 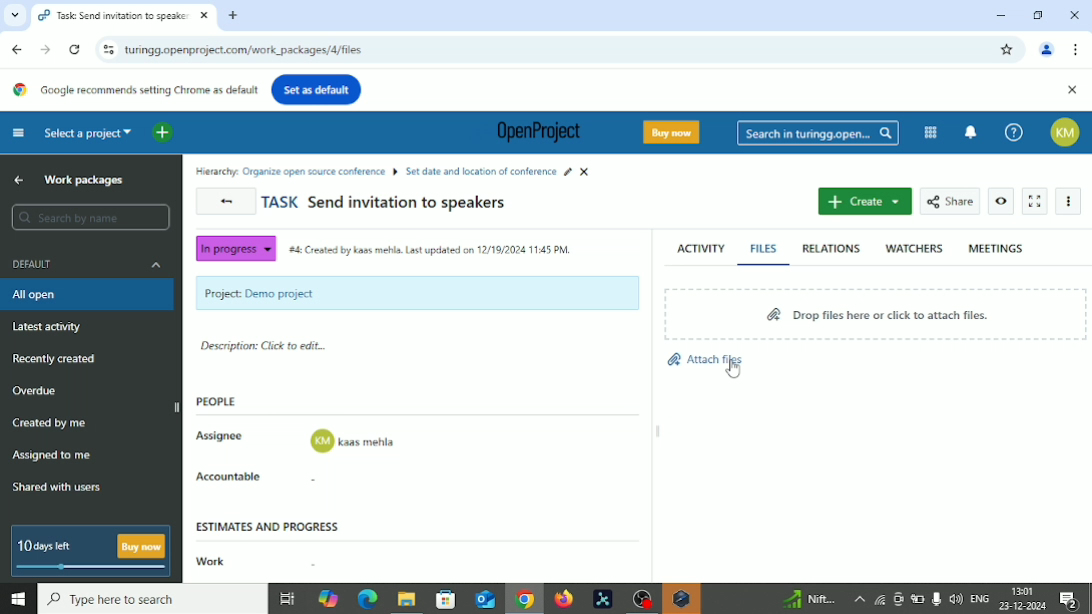 What do you see at coordinates (133, 90) in the screenshot?
I see `Google recommends setting Chrome as default` at bounding box center [133, 90].